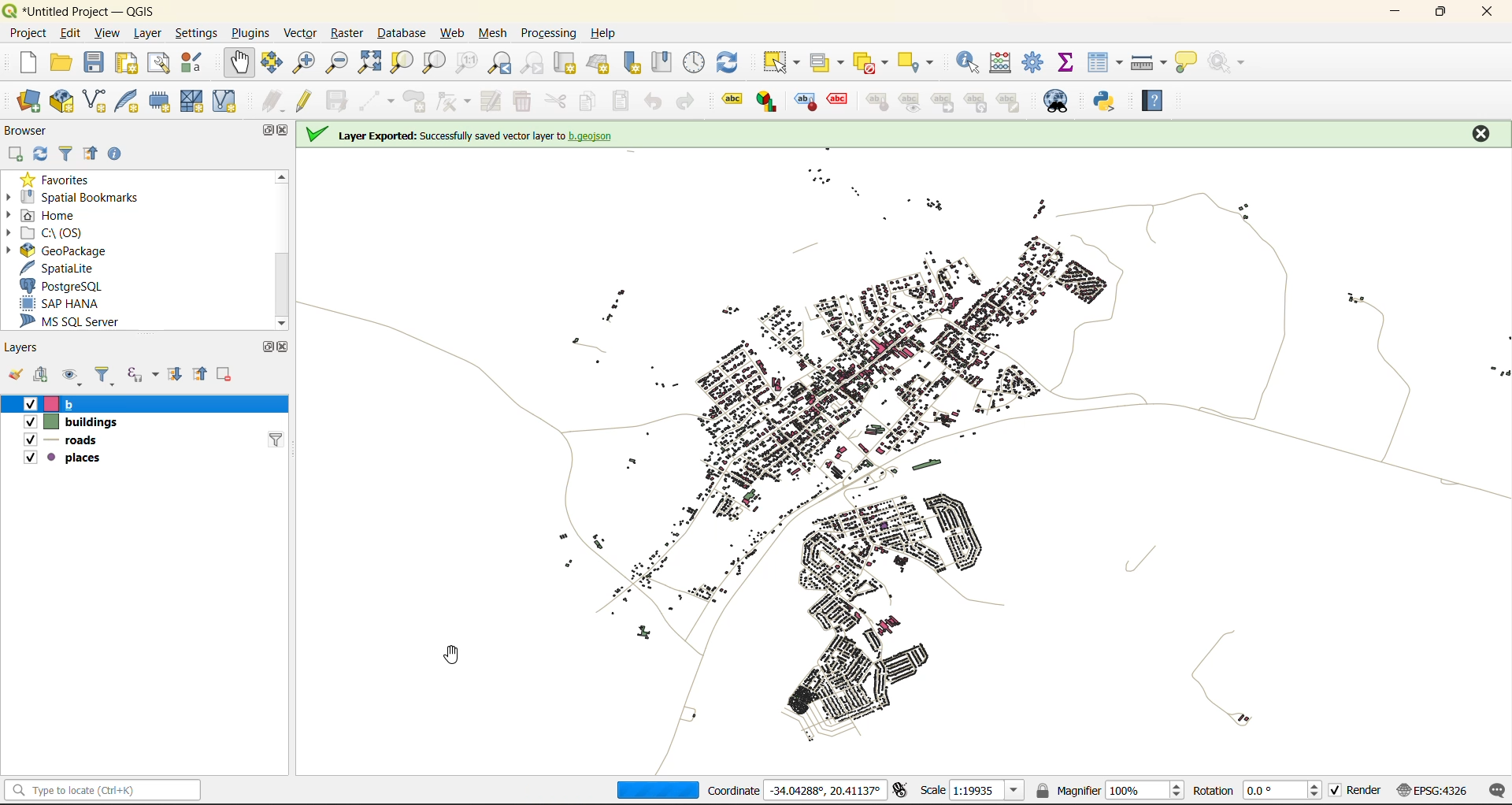  Describe the element at coordinates (131, 99) in the screenshot. I see `new spatialite` at that location.